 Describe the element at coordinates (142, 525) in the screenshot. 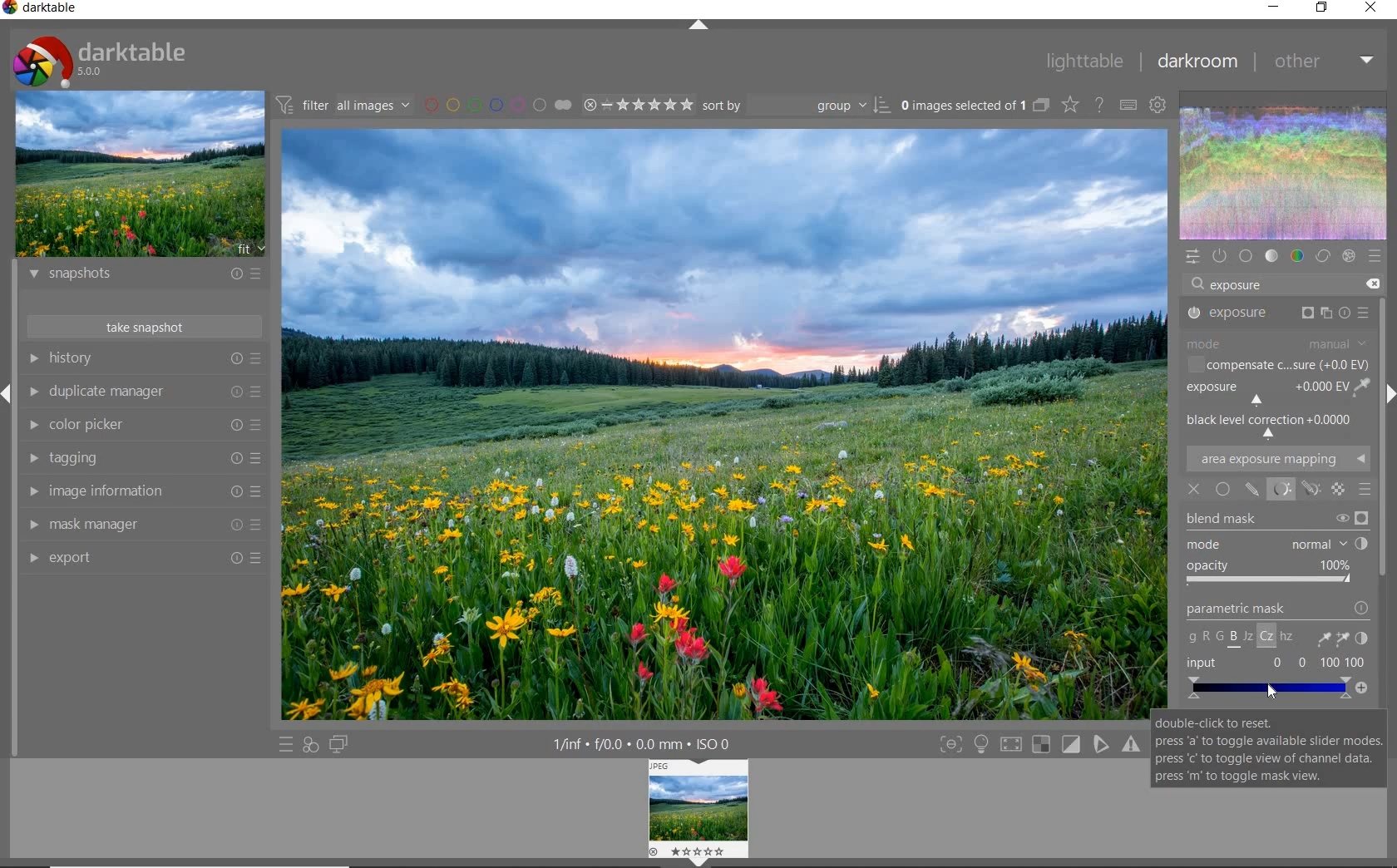

I see `mask manager` at that location.